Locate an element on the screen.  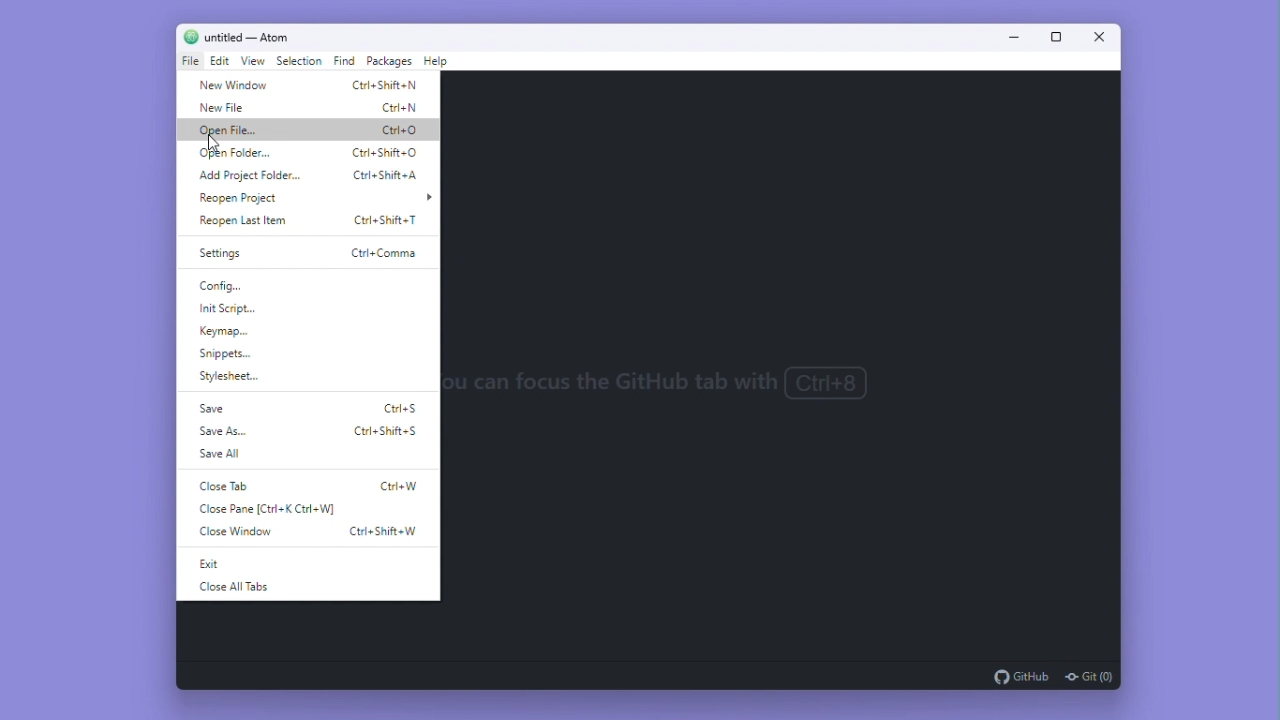
Init script... is located at coordinates (239, 308).